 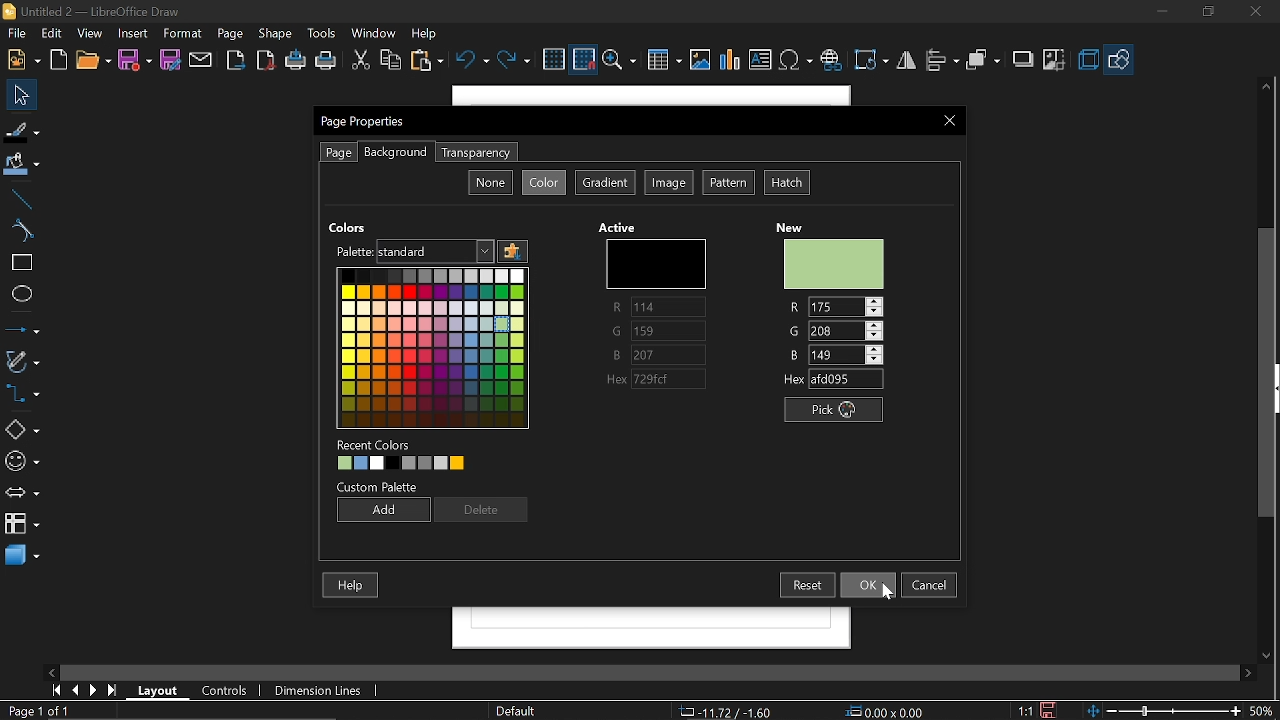 I want to click on Save as, so click(x=172, y=61).